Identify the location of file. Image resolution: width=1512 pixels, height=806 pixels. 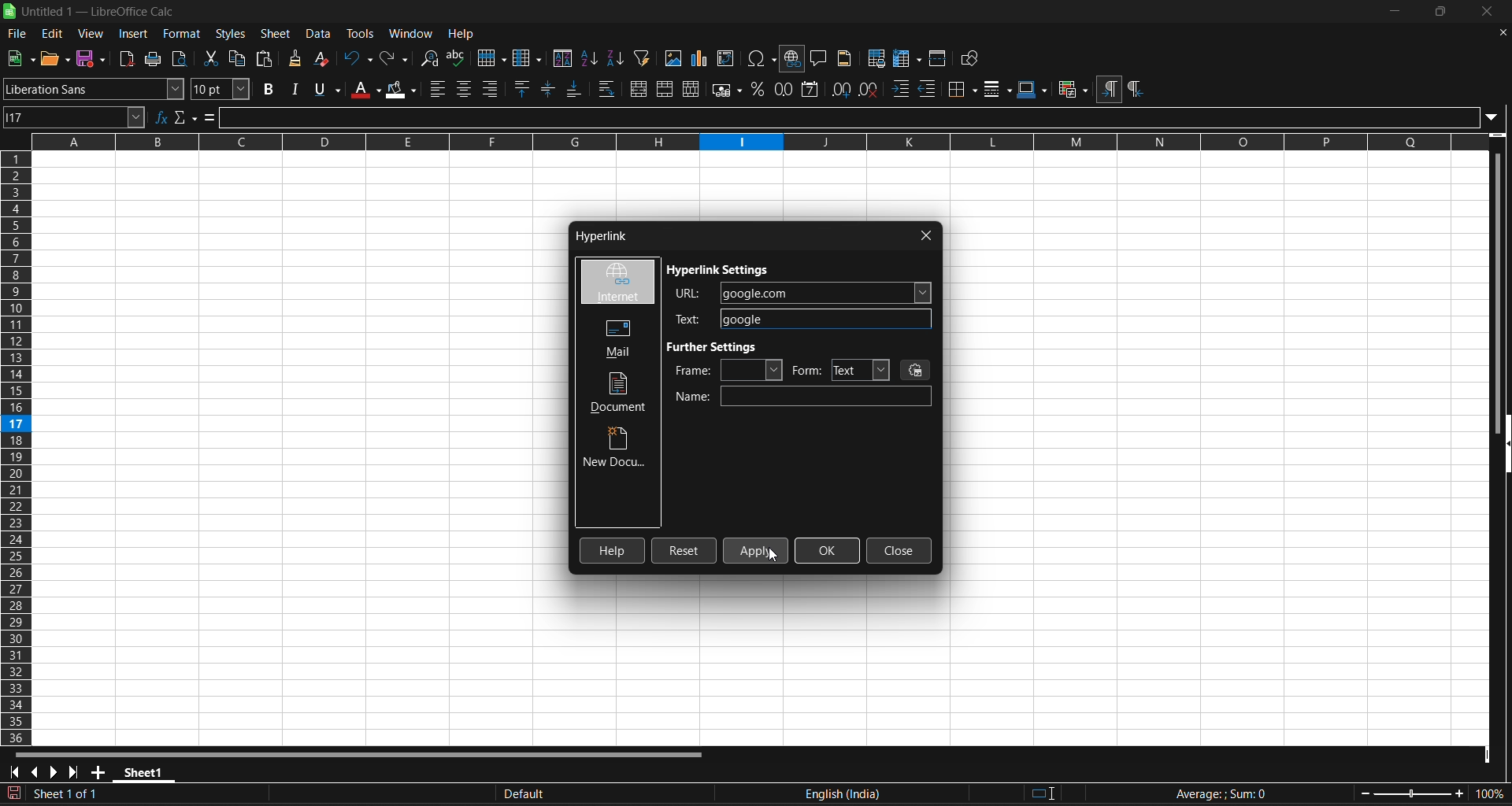
(17, 35).